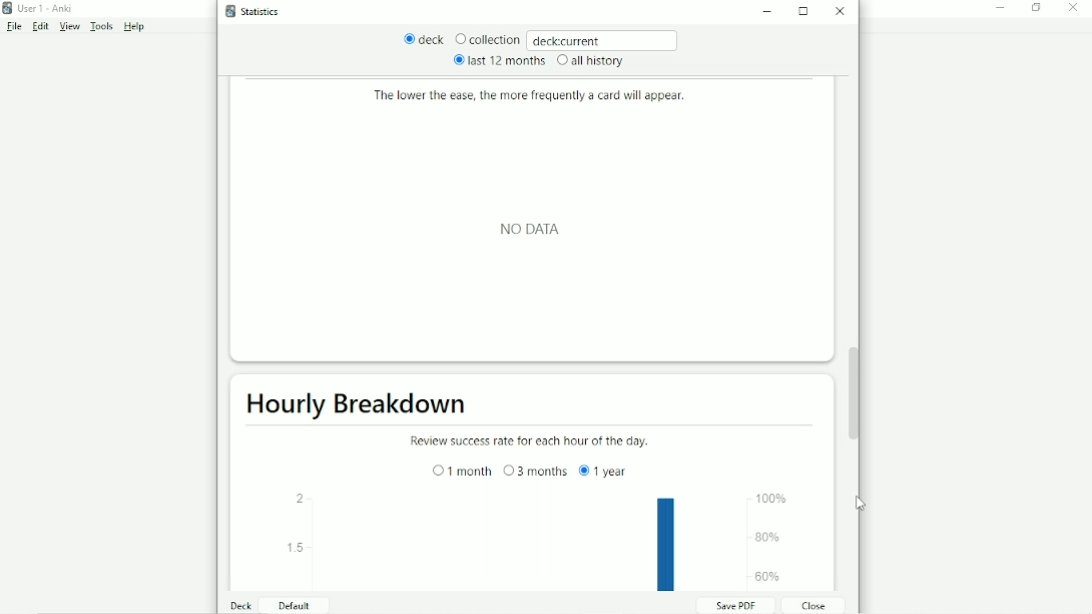 This screenshot has height=614, width=1092. Describe the element at coordinates (536, 471) in the screenshot. I see `3 months` at that location.